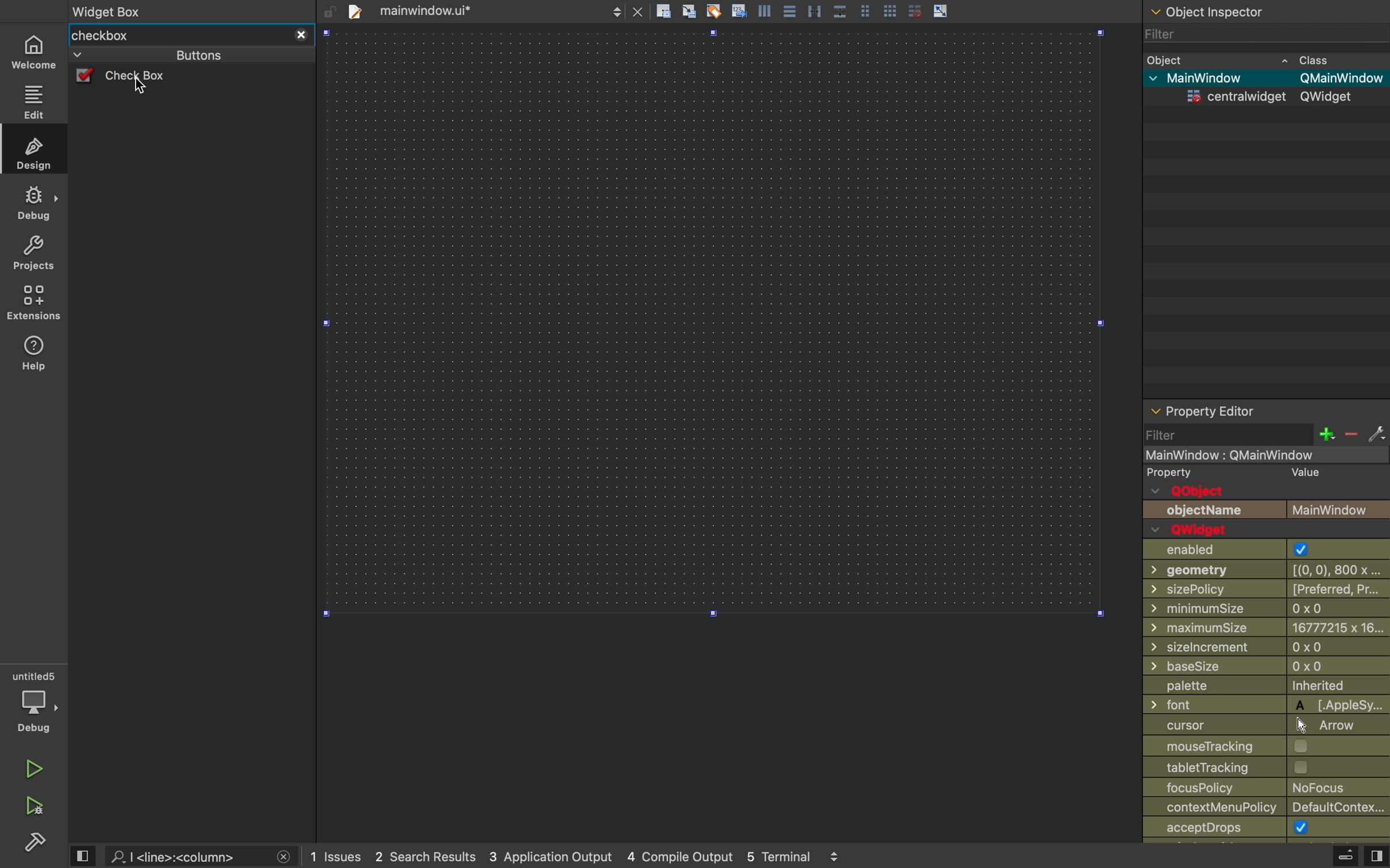  I want to click on view, so click(1376, 857).